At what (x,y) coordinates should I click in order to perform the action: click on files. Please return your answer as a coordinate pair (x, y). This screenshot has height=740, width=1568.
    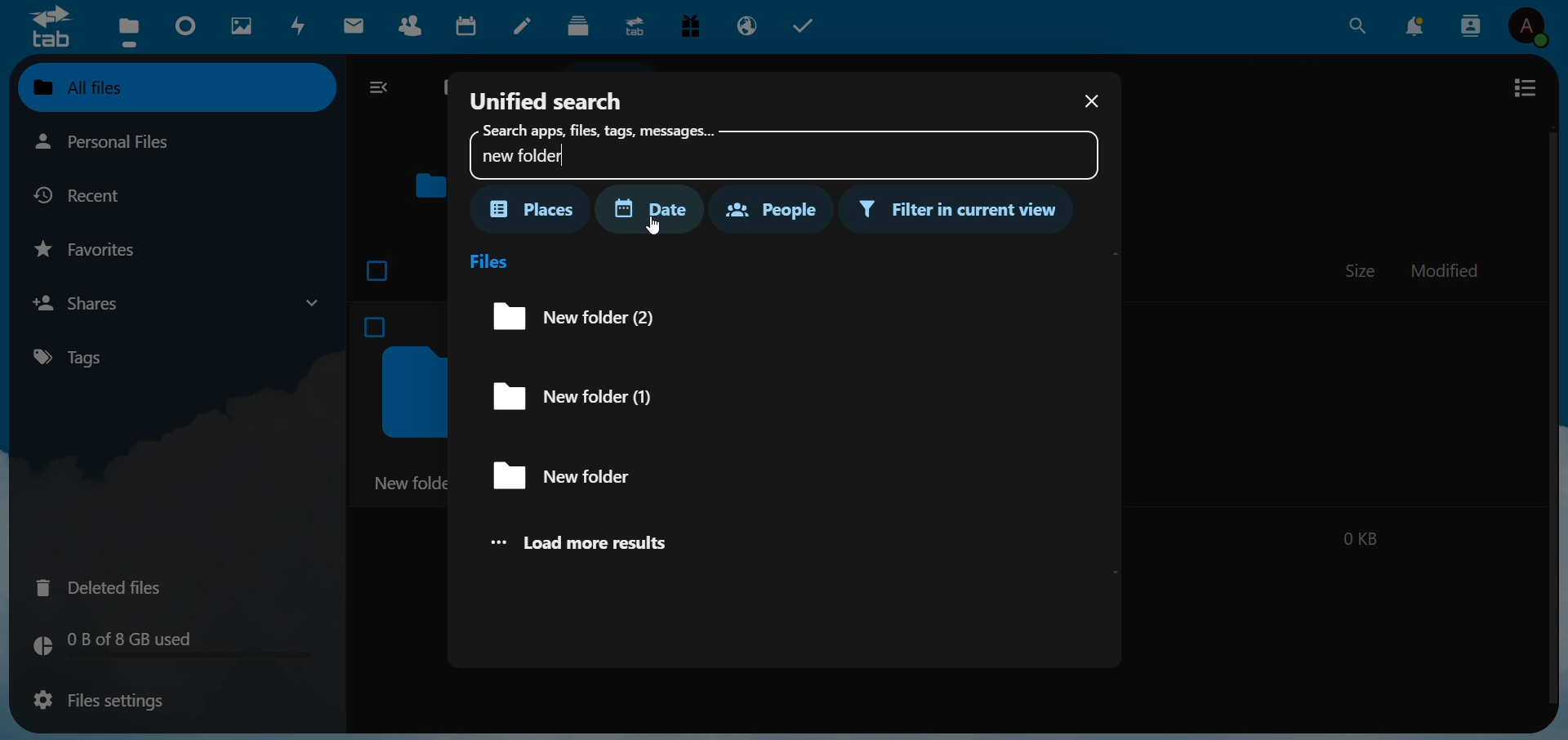
    Looking at the image, I should click on (492, 260).